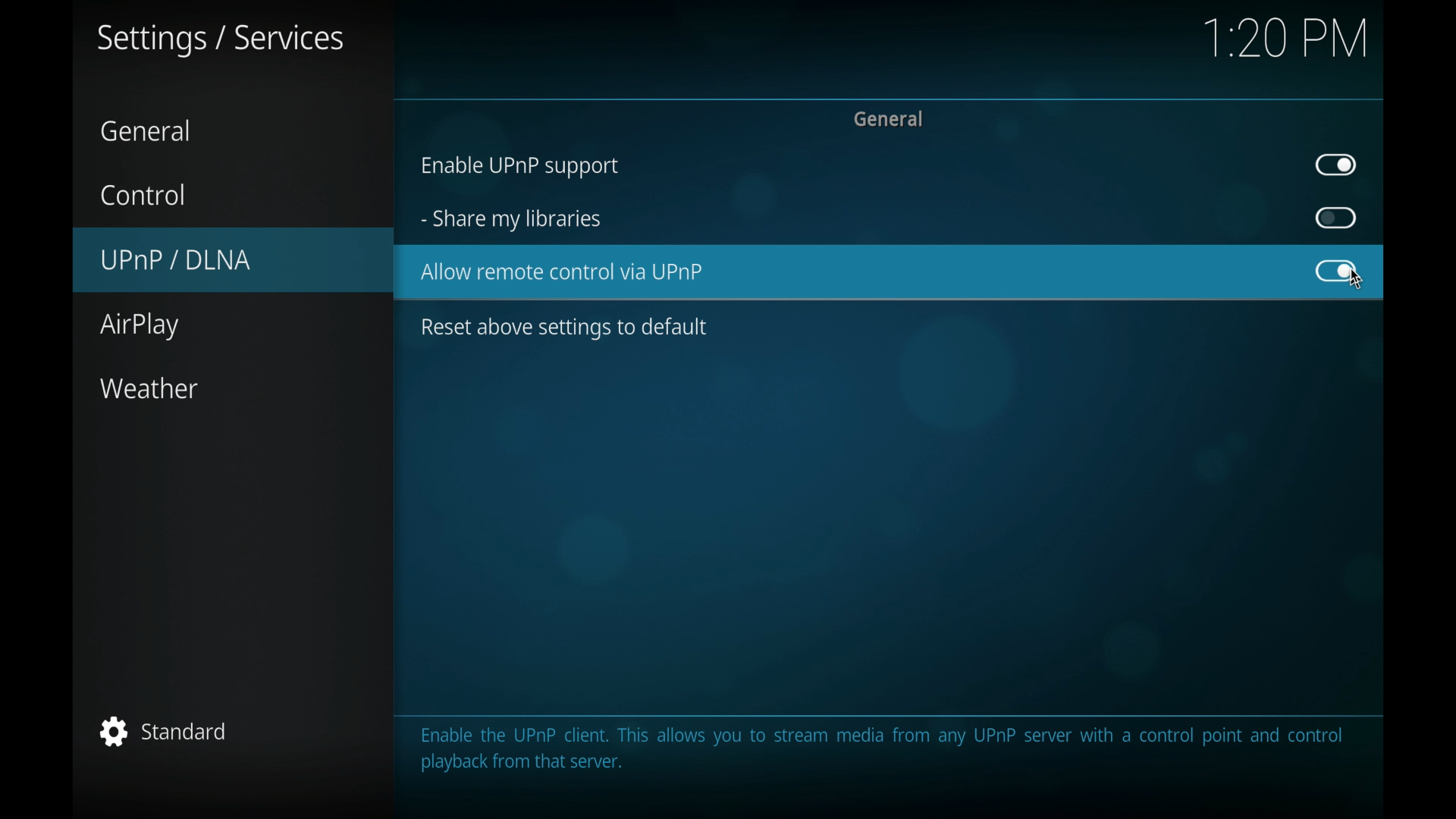 The width and height of the screenshot is (1456, 819). What do you see at coordinates (167, 731) in the screenshot?
I see `standard` at bounding box center [167, 731].